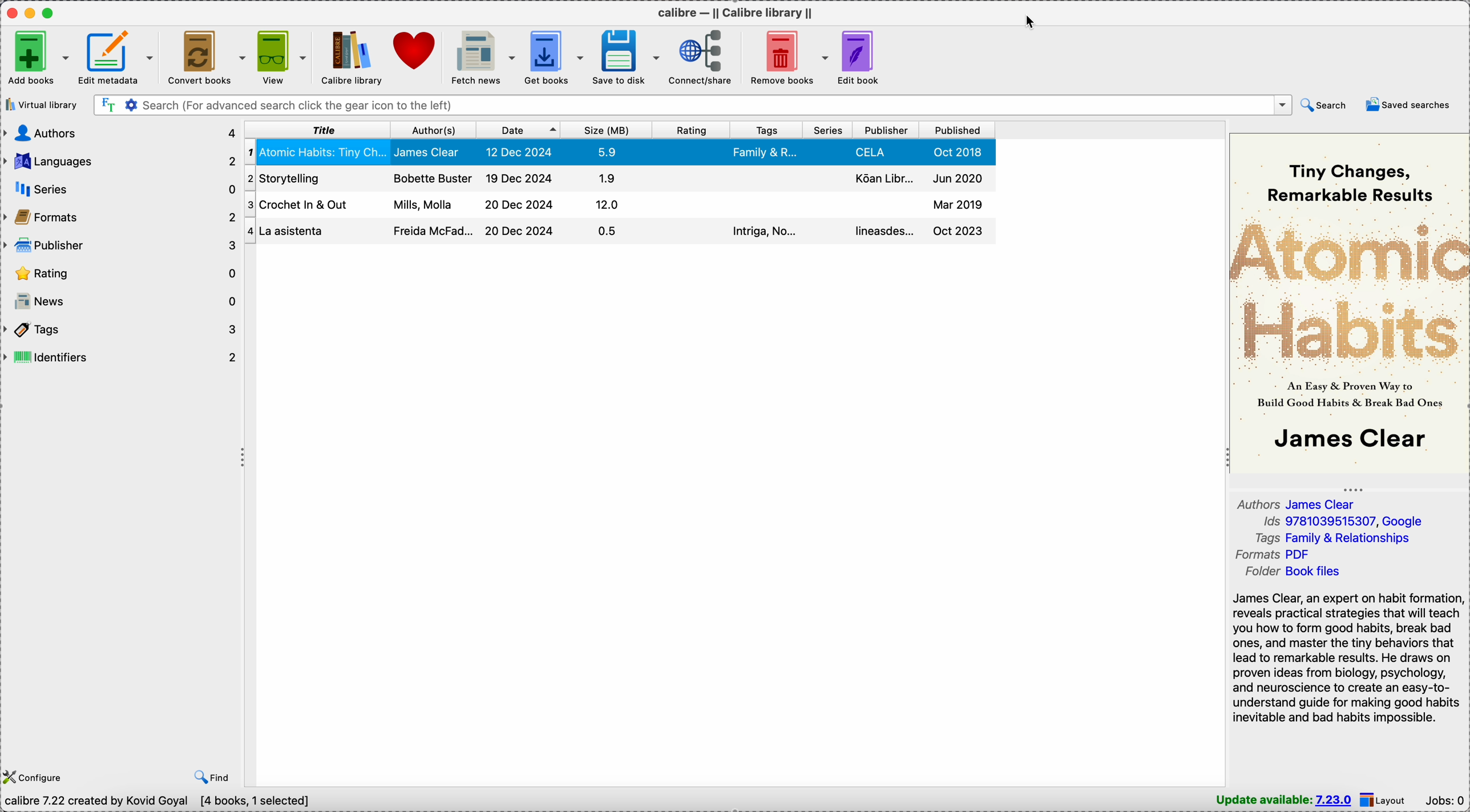 The image size is (1470, 812). What do you see at coordinates (1407, 104) in the screenshot?
I see `saved searches` at bounding box center [1407, 104].